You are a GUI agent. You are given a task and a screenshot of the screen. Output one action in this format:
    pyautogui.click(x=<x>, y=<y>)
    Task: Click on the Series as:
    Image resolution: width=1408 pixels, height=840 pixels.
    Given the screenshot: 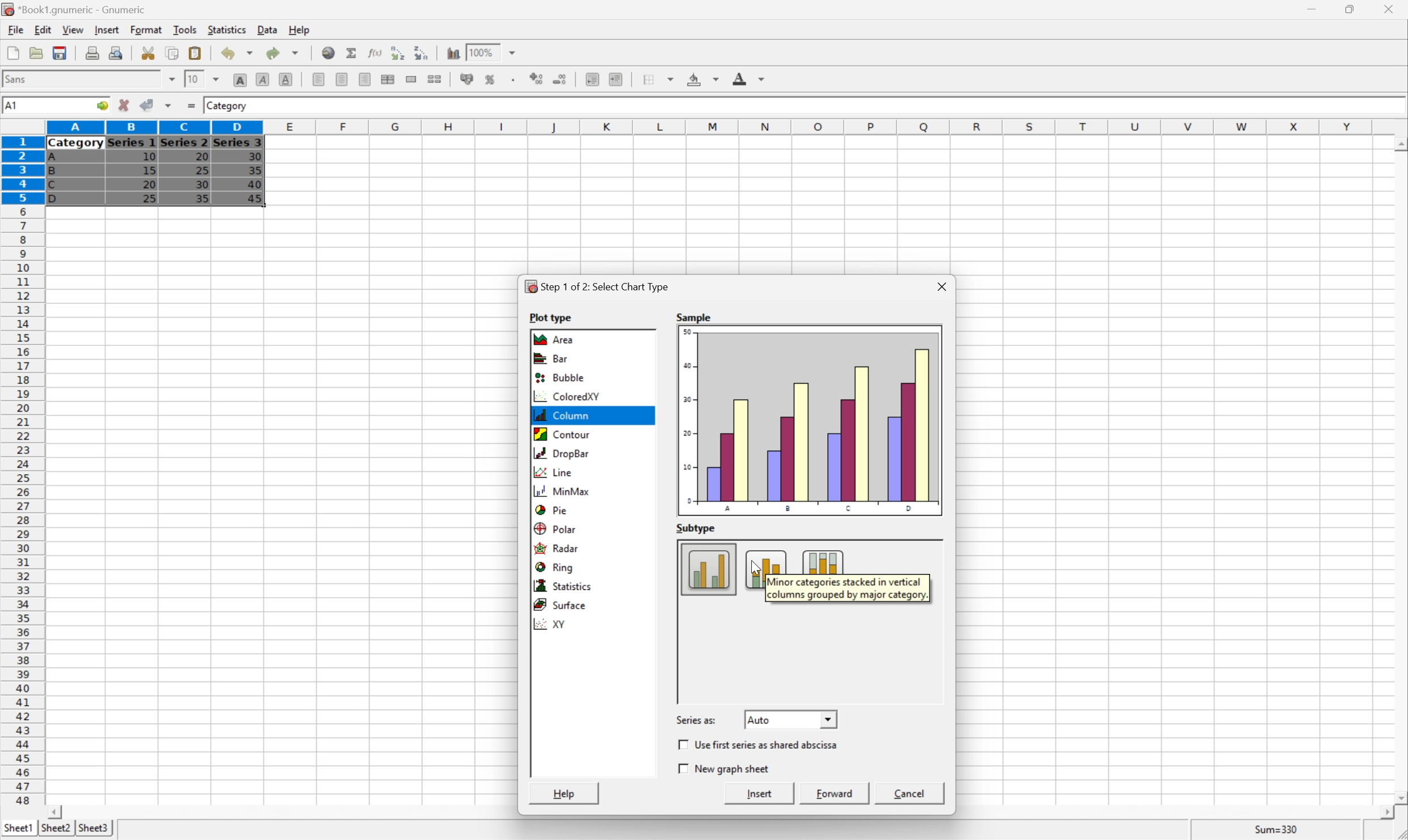 What is the action you would take?
    pyautogui.click(x=696, y=719)
    